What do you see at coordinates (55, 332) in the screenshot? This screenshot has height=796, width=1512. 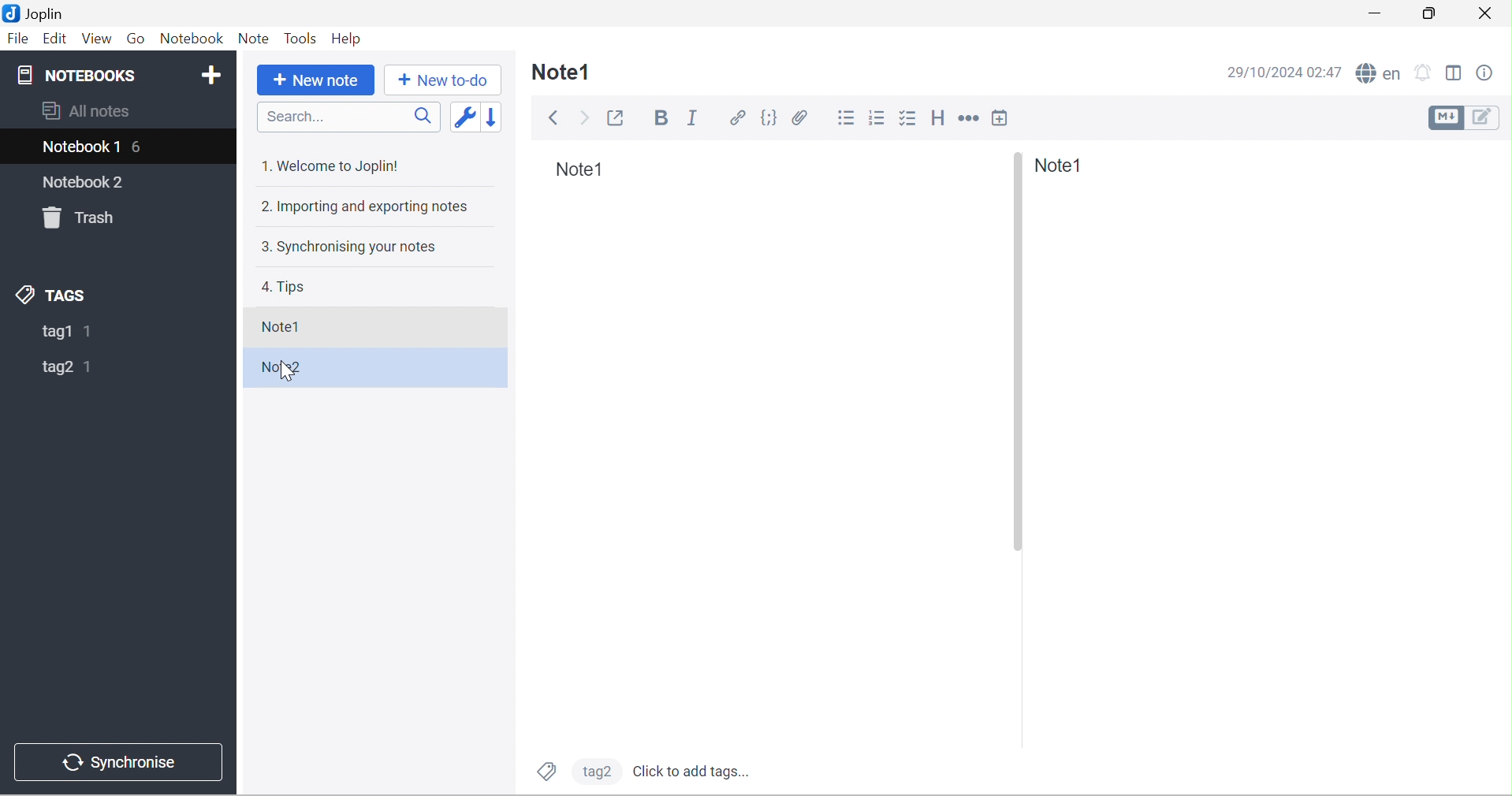 I see `tag1` at bounding box center [55, 332].